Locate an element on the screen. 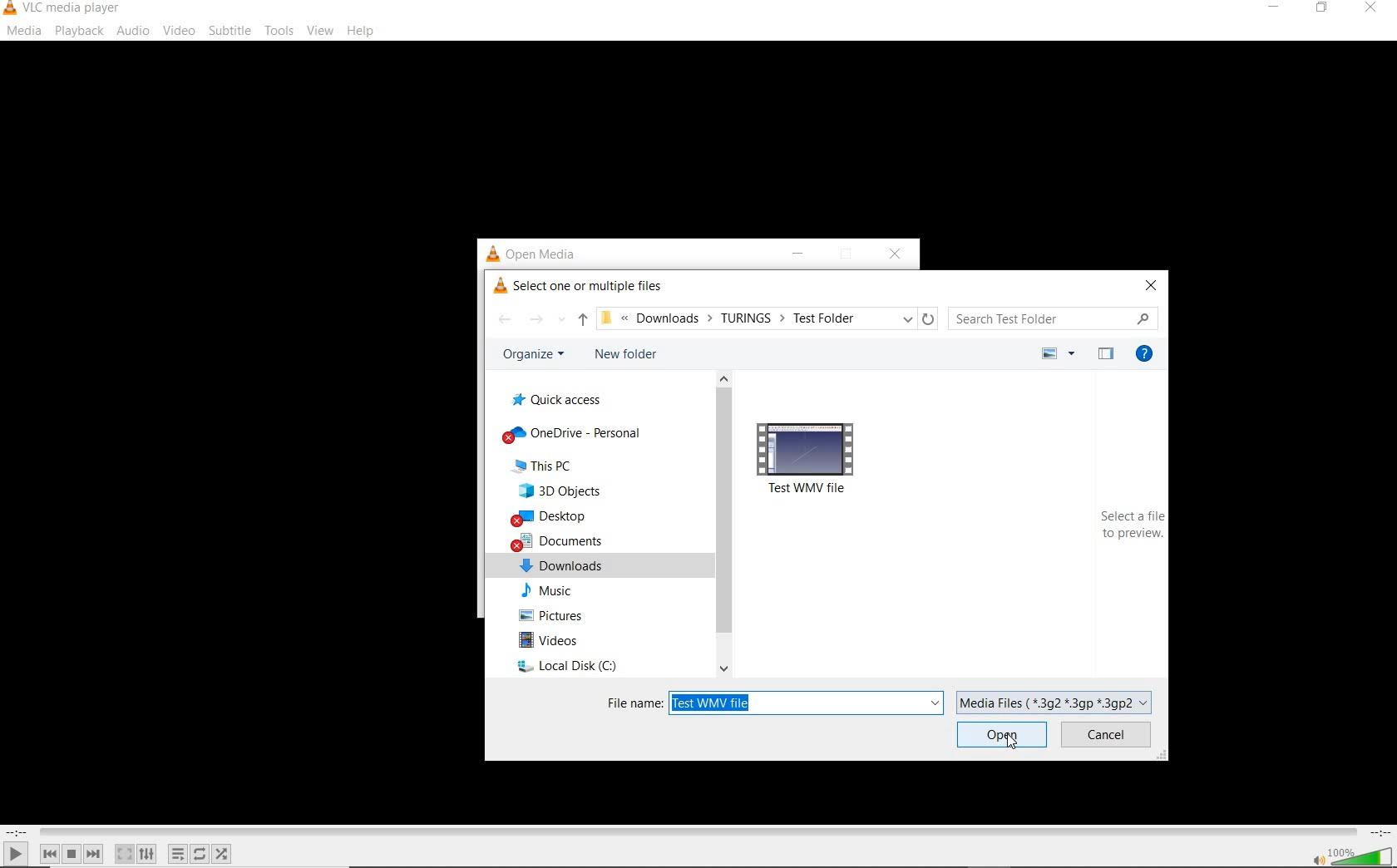  recent locations is located at coordinates (560, 320).